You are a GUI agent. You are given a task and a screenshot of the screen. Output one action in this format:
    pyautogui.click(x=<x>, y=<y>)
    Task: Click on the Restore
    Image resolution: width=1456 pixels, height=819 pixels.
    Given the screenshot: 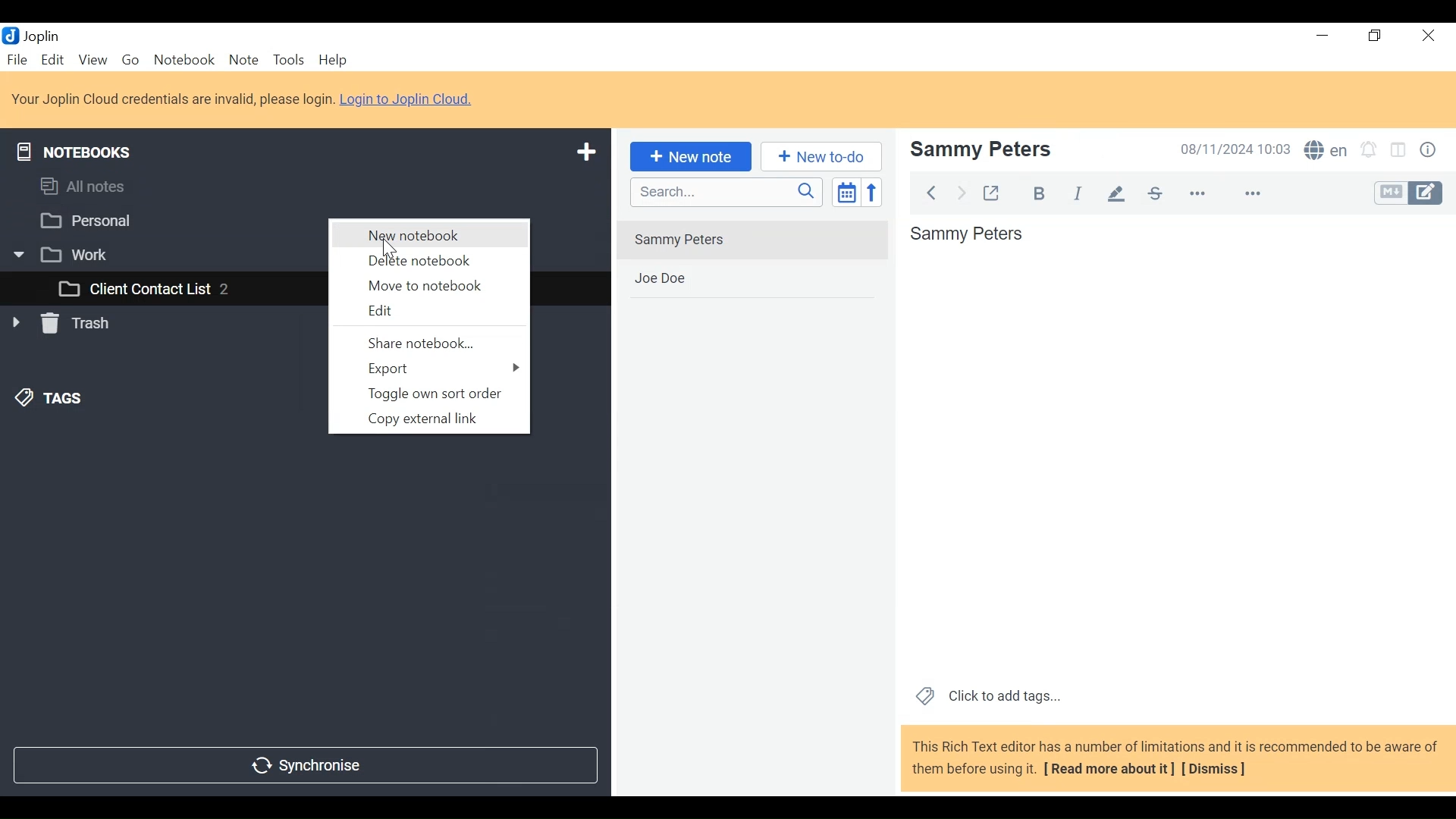 What is the action you would take?
    pyautogui.click(x=1376, y=35)
    